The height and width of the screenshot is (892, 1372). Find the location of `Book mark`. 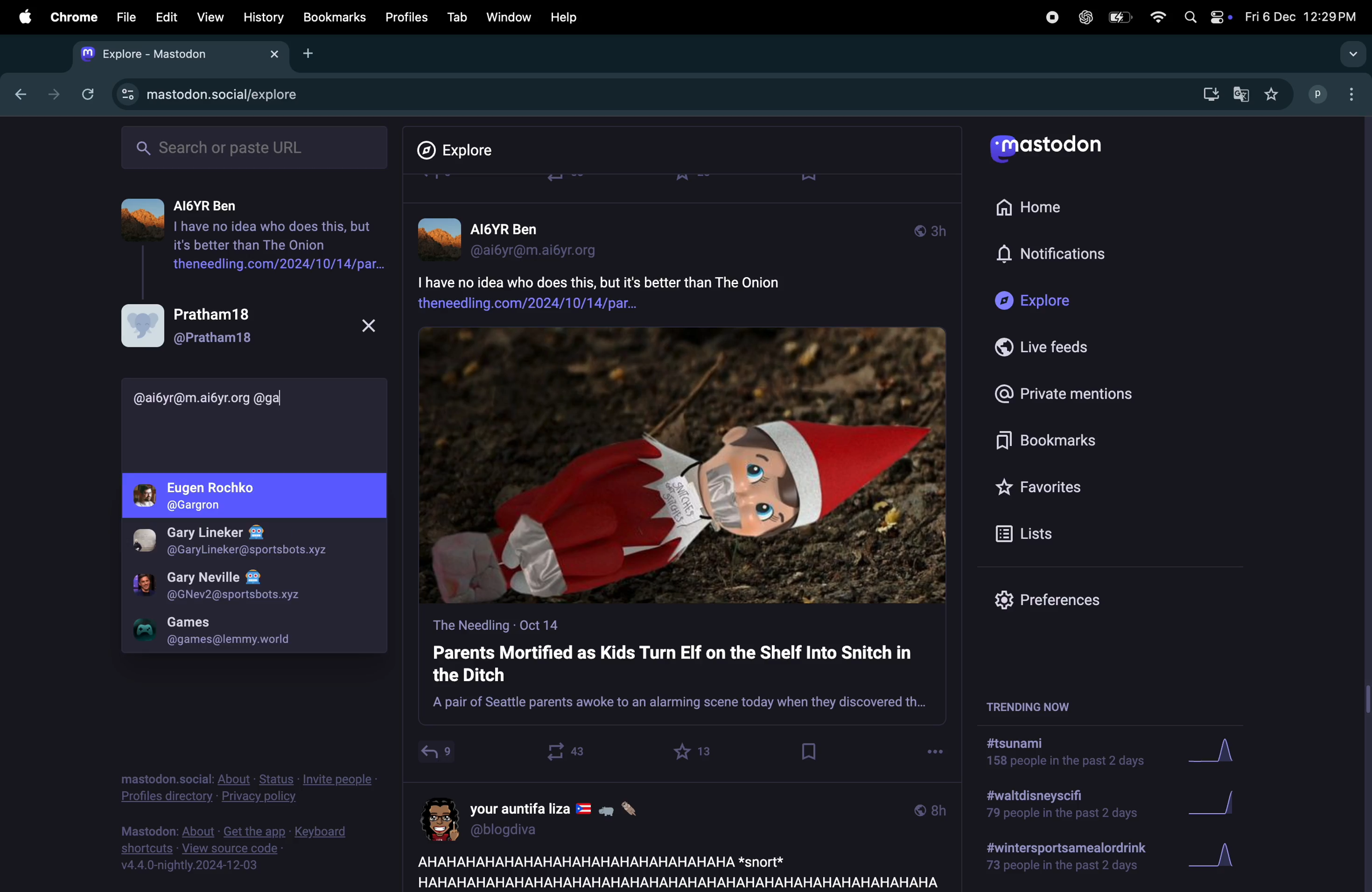

Book mark is located at coordinates (333, 17).